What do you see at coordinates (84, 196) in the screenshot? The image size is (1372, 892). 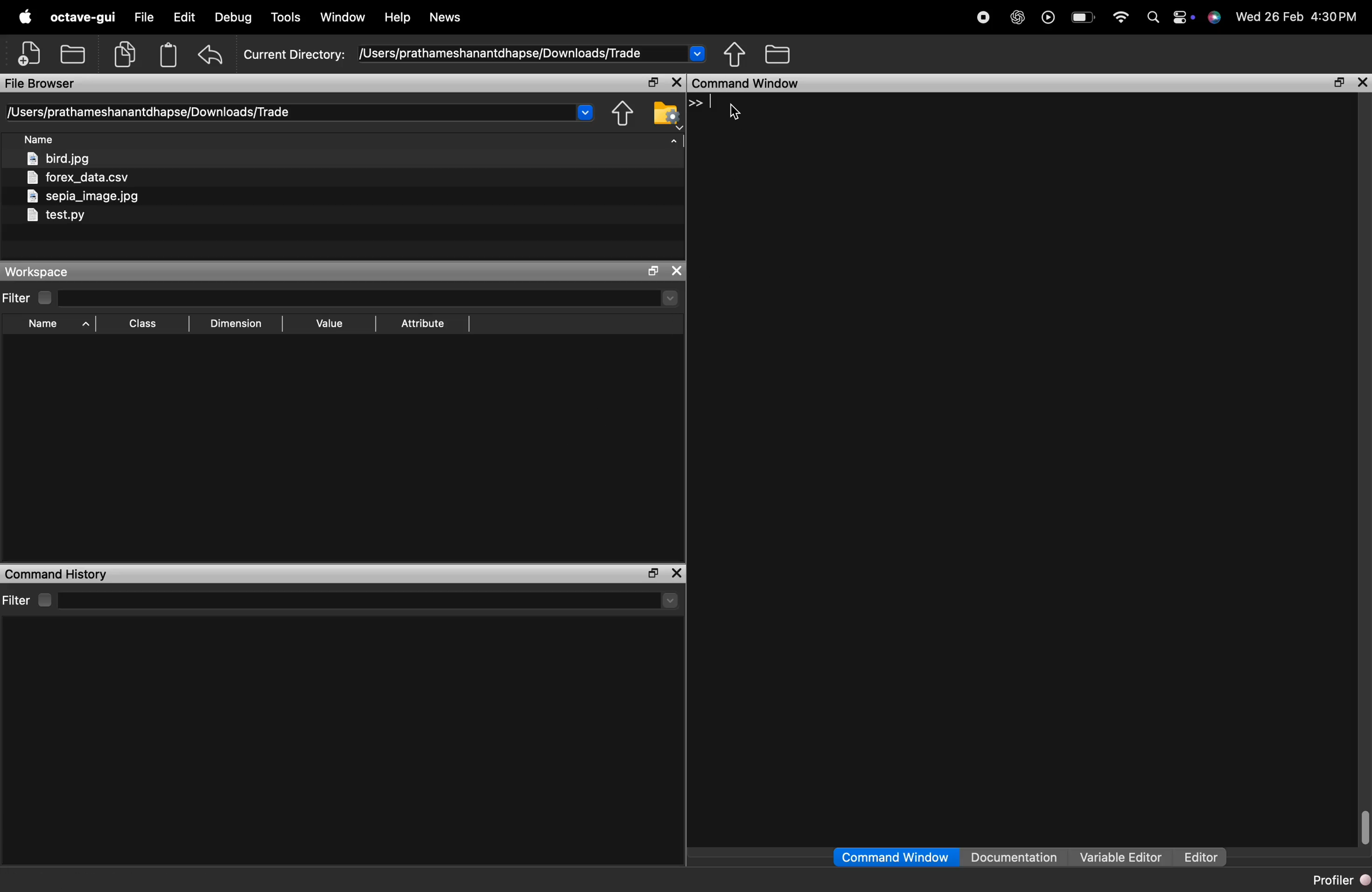 I see ` sepia_image.jpg` at bounding box center [84, 196].